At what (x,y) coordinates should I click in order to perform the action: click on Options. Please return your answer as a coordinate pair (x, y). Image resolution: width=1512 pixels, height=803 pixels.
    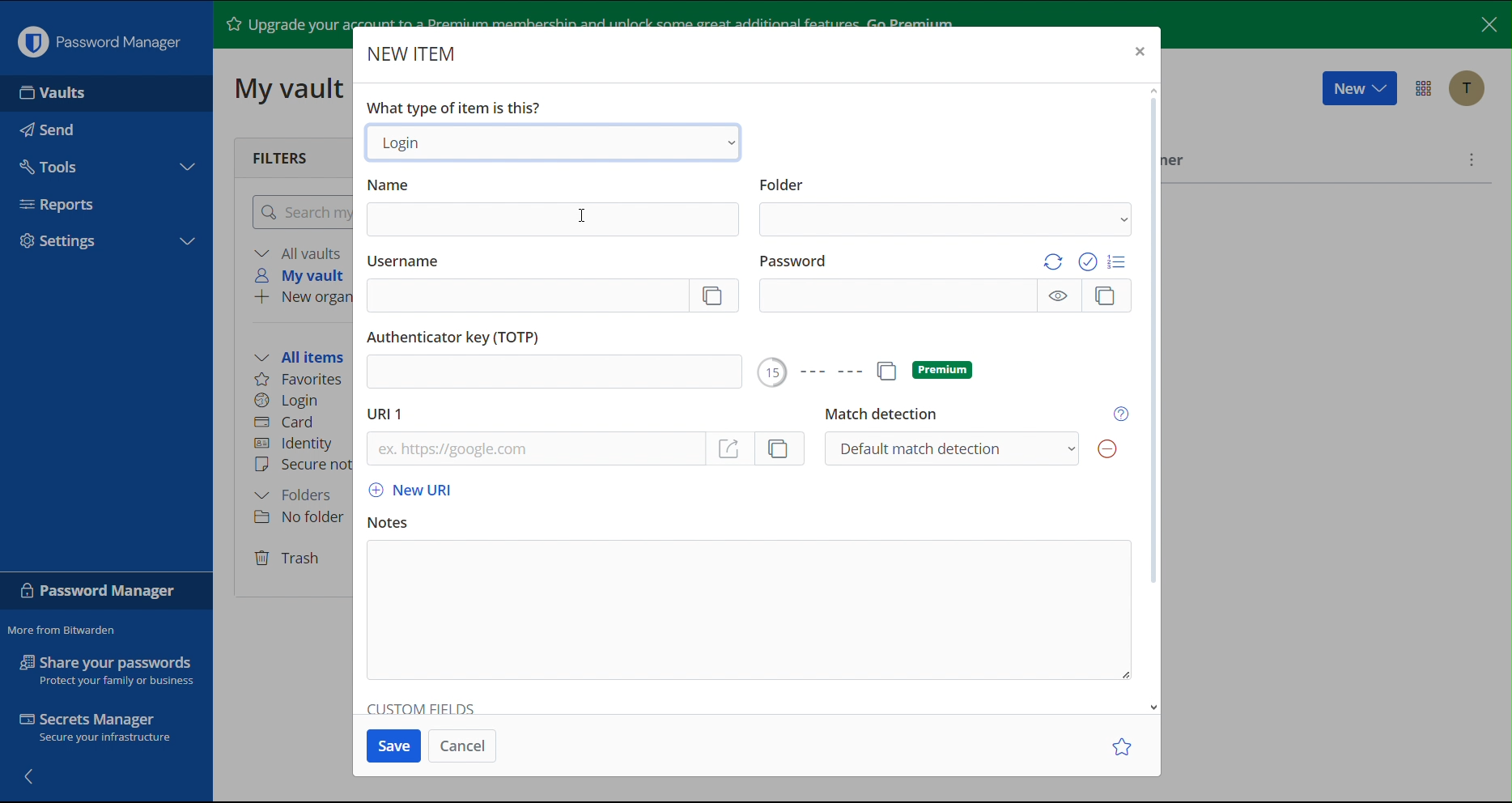
    Looking at the image, I should click on (1426, 87).